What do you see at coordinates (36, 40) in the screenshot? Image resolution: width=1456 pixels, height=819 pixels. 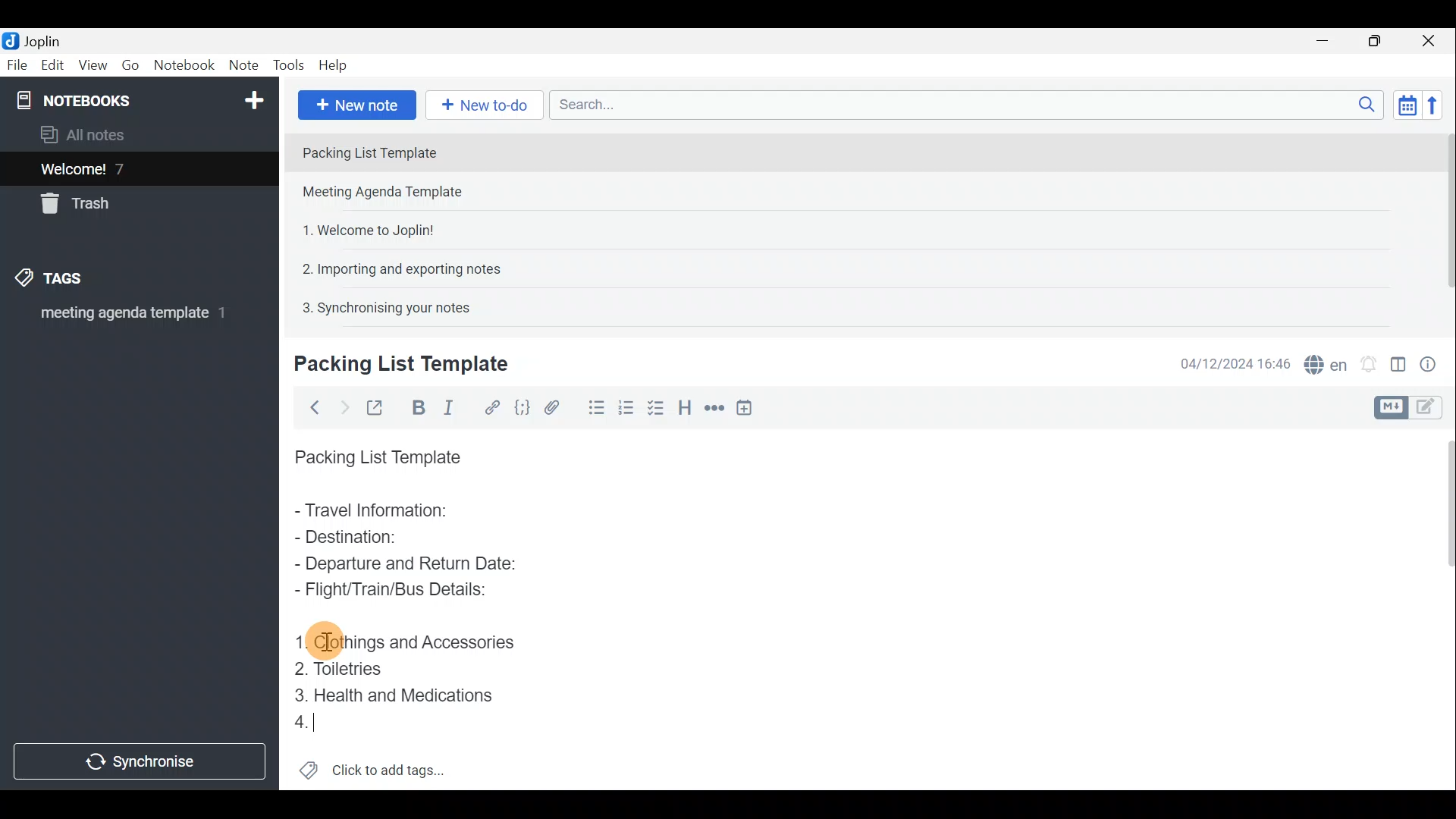 I see `Joplin` at bounding box center [36, 40].